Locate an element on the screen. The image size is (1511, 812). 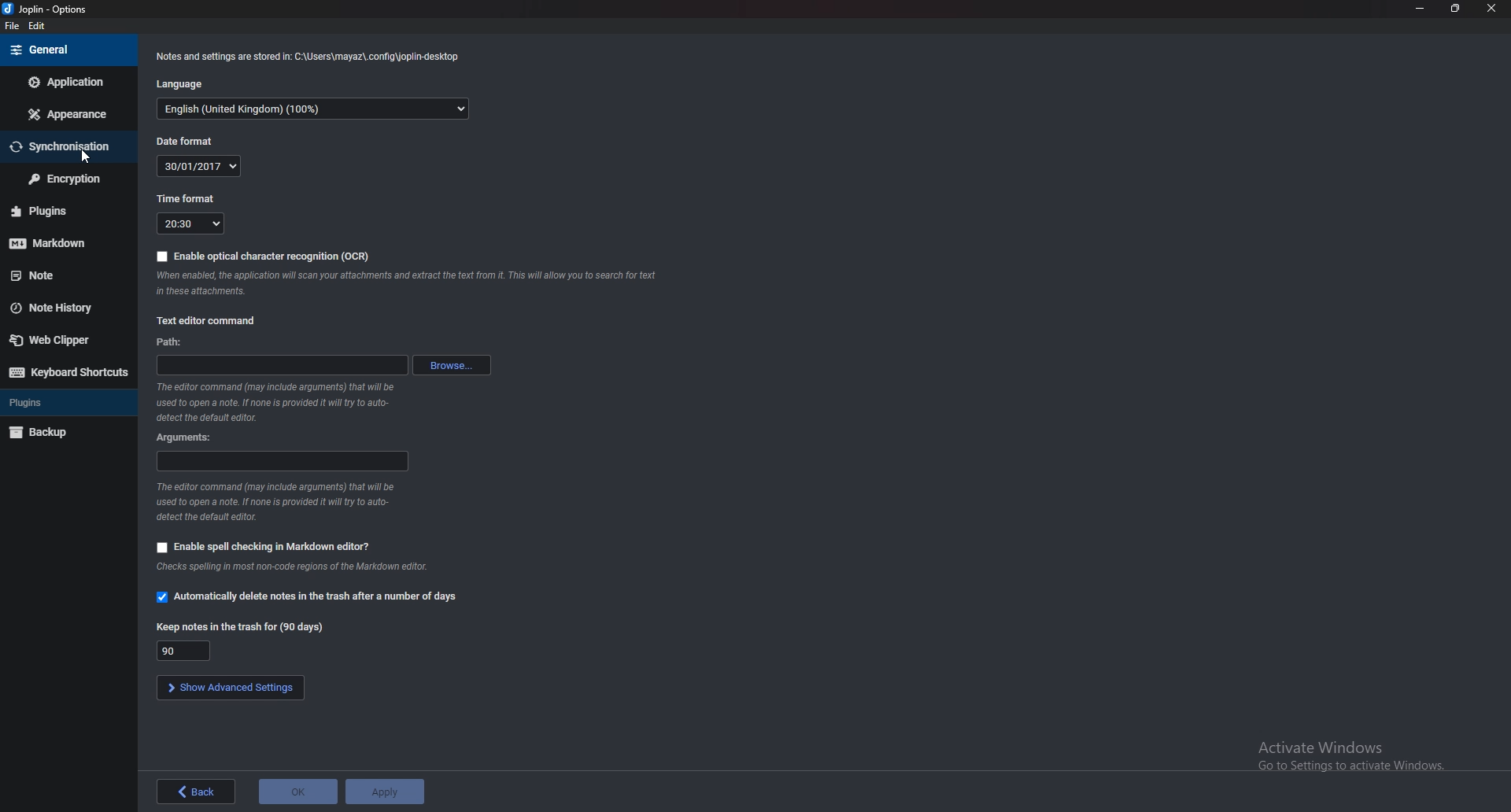
backup is located at coordinates (61, 432).